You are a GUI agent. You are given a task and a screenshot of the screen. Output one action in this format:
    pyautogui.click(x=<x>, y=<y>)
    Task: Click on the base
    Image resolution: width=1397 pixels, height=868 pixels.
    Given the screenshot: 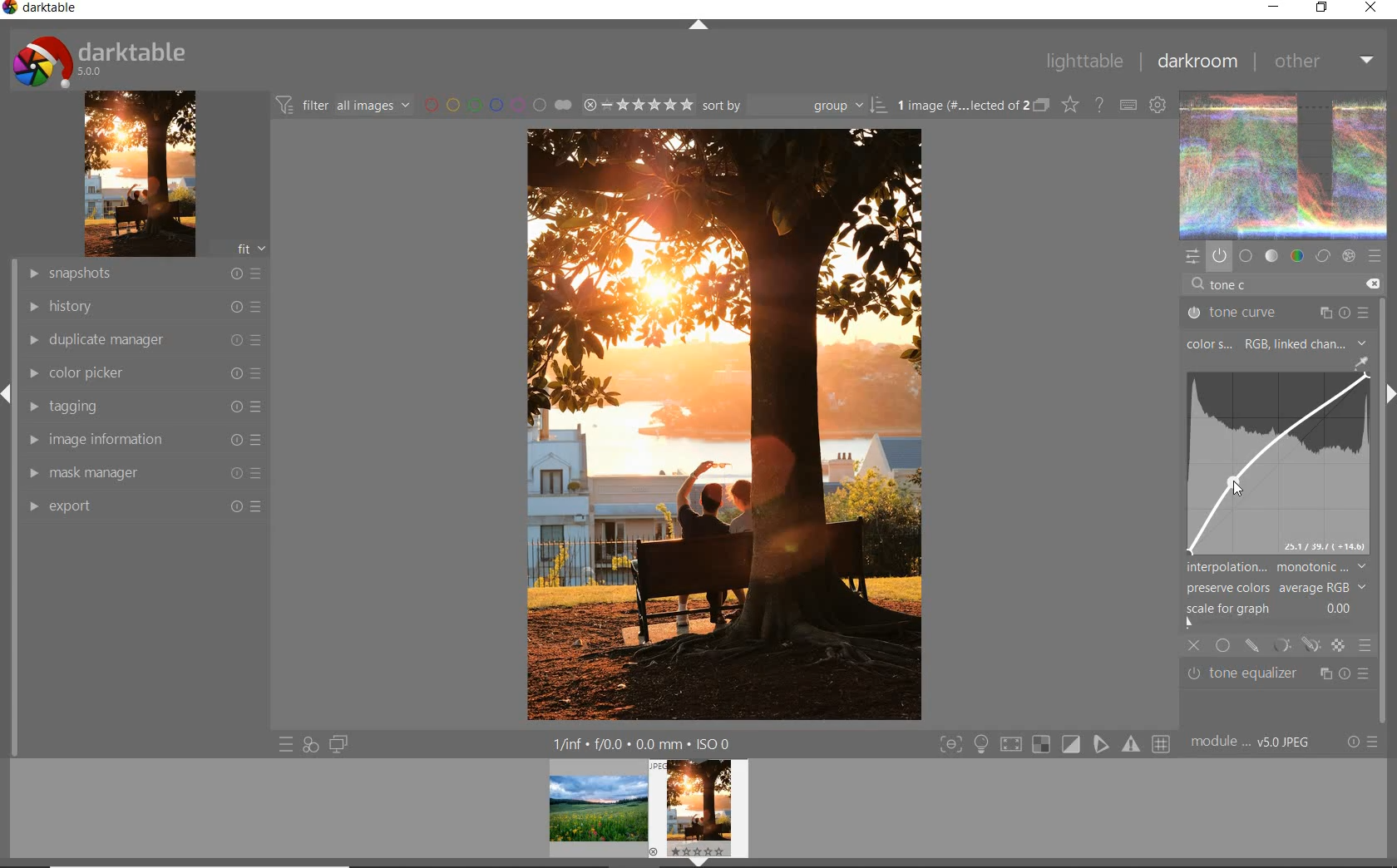 What is the action you would take?
    pyautogui.click(x=1246, y=255)
    